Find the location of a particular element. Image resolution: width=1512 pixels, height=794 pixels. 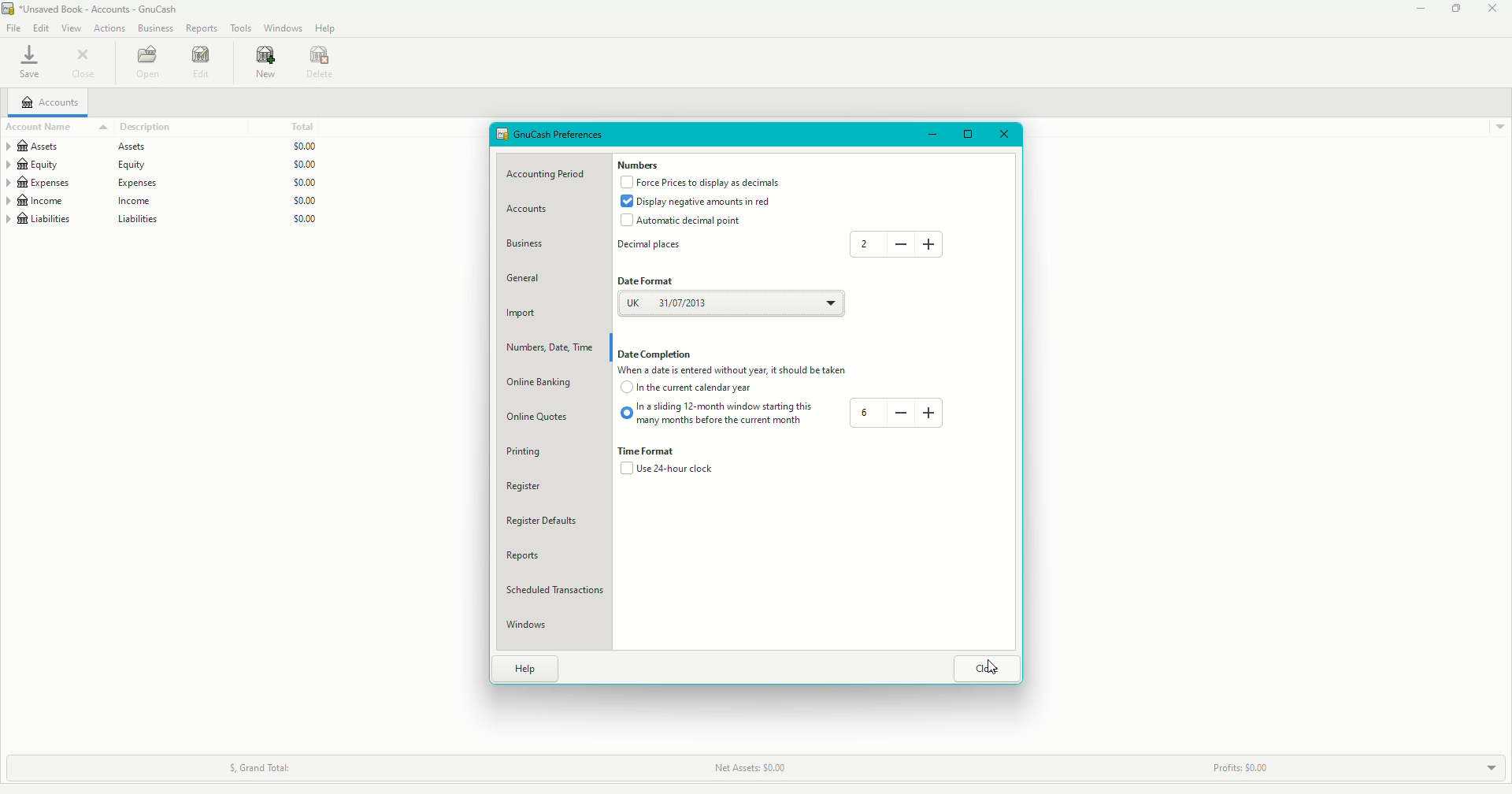

Account name is located at coordinates (42, 126).